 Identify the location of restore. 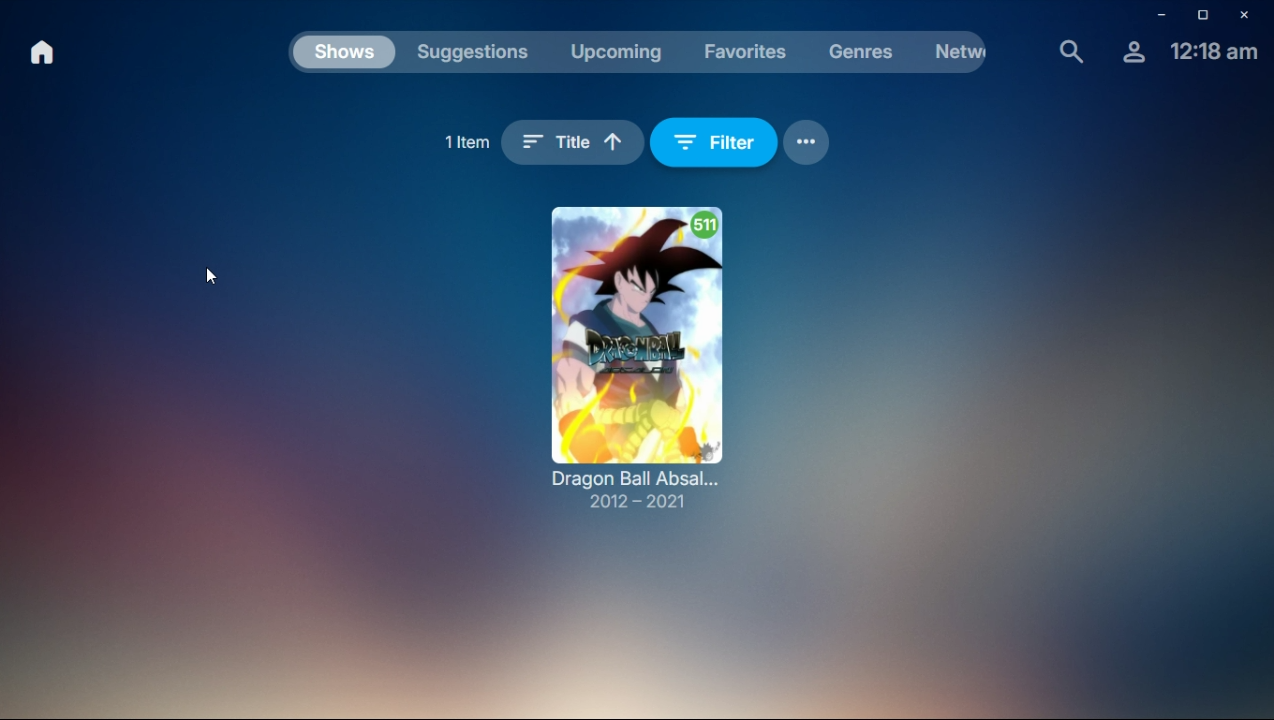
(1204, 17).